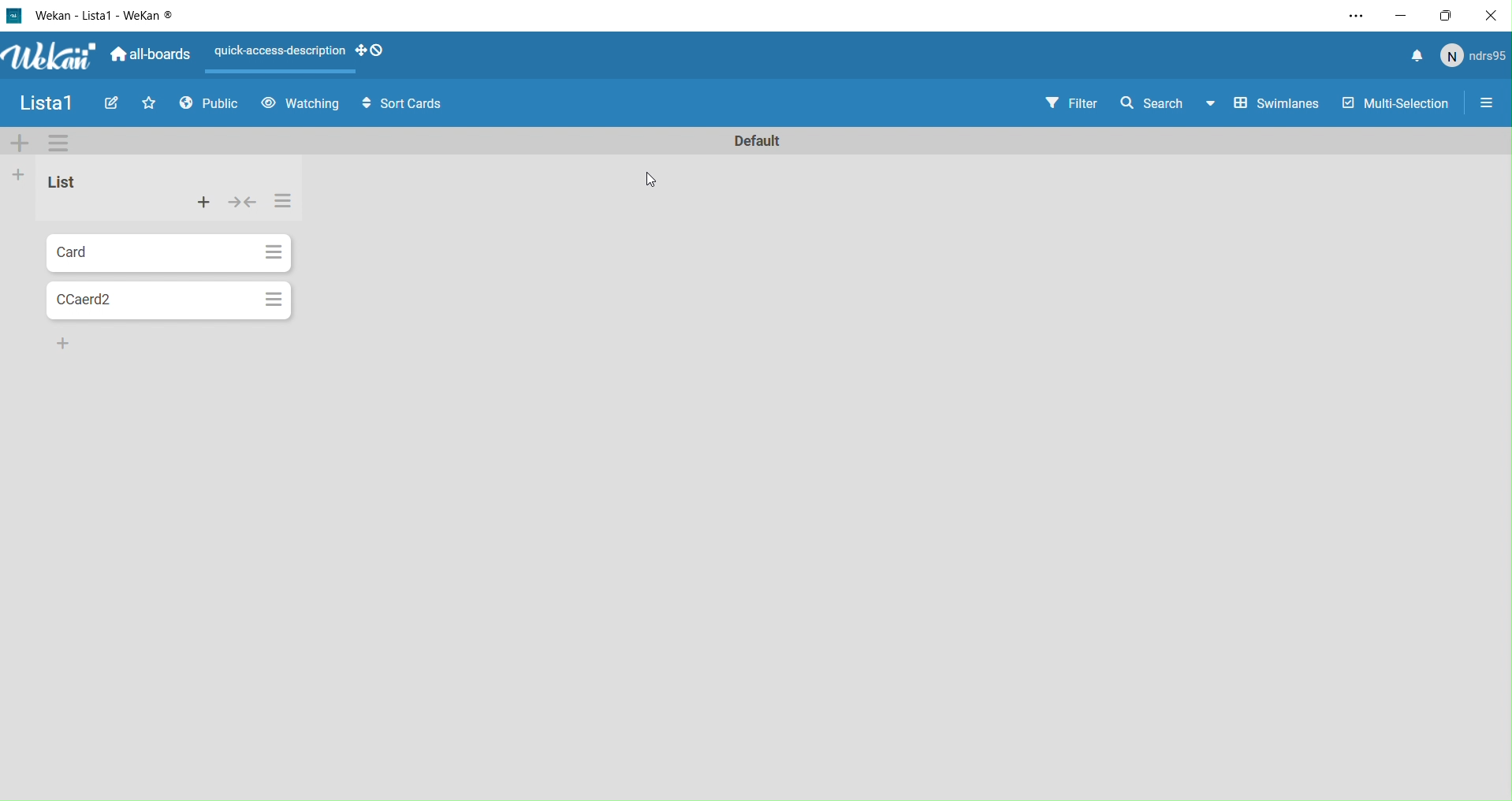  Describe the element at coordinates (22, 177) in the screenshot. I see `Add` at that location.